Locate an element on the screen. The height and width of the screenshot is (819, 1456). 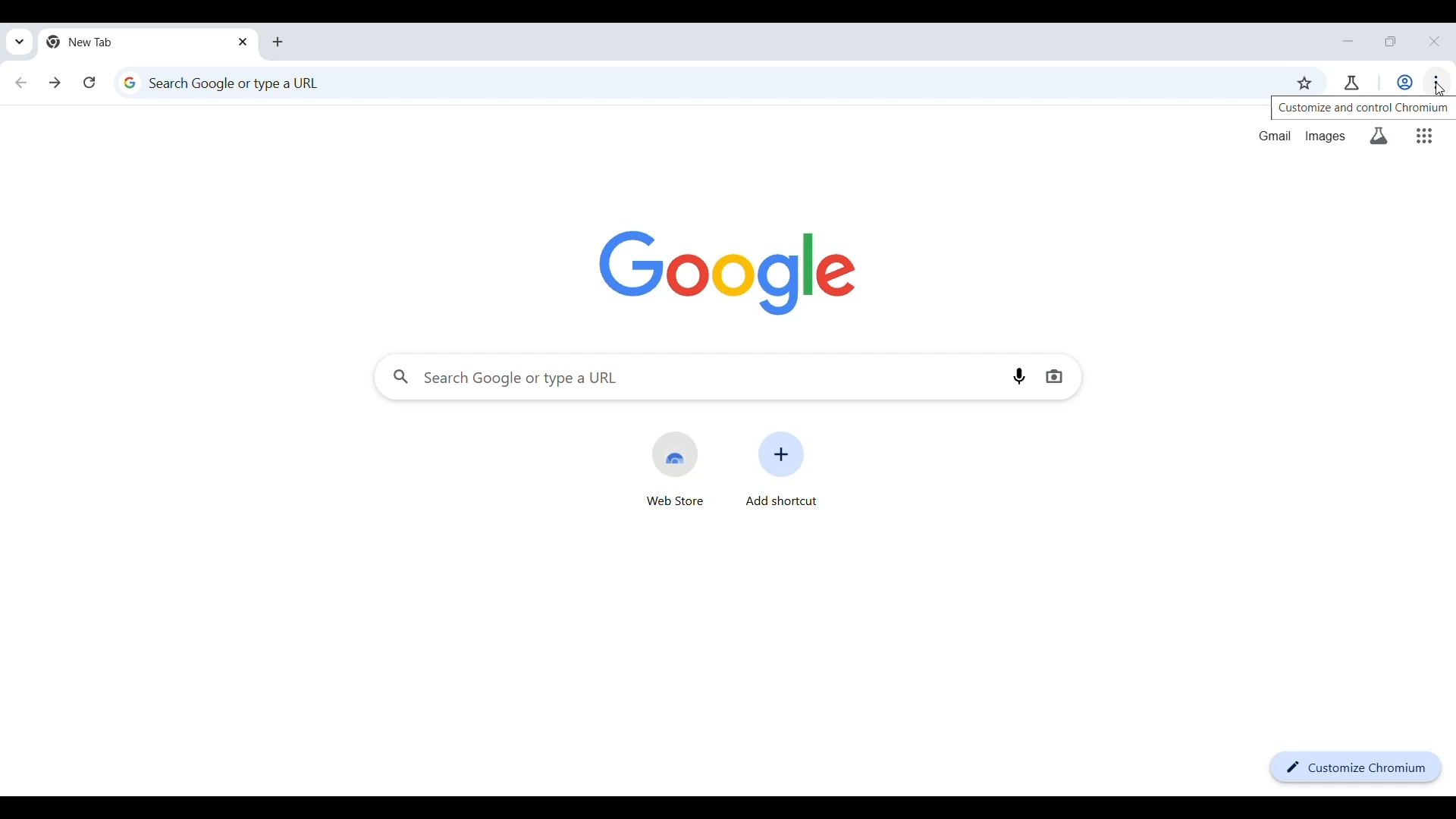
Google apps is located at coordinates (1424, 136).